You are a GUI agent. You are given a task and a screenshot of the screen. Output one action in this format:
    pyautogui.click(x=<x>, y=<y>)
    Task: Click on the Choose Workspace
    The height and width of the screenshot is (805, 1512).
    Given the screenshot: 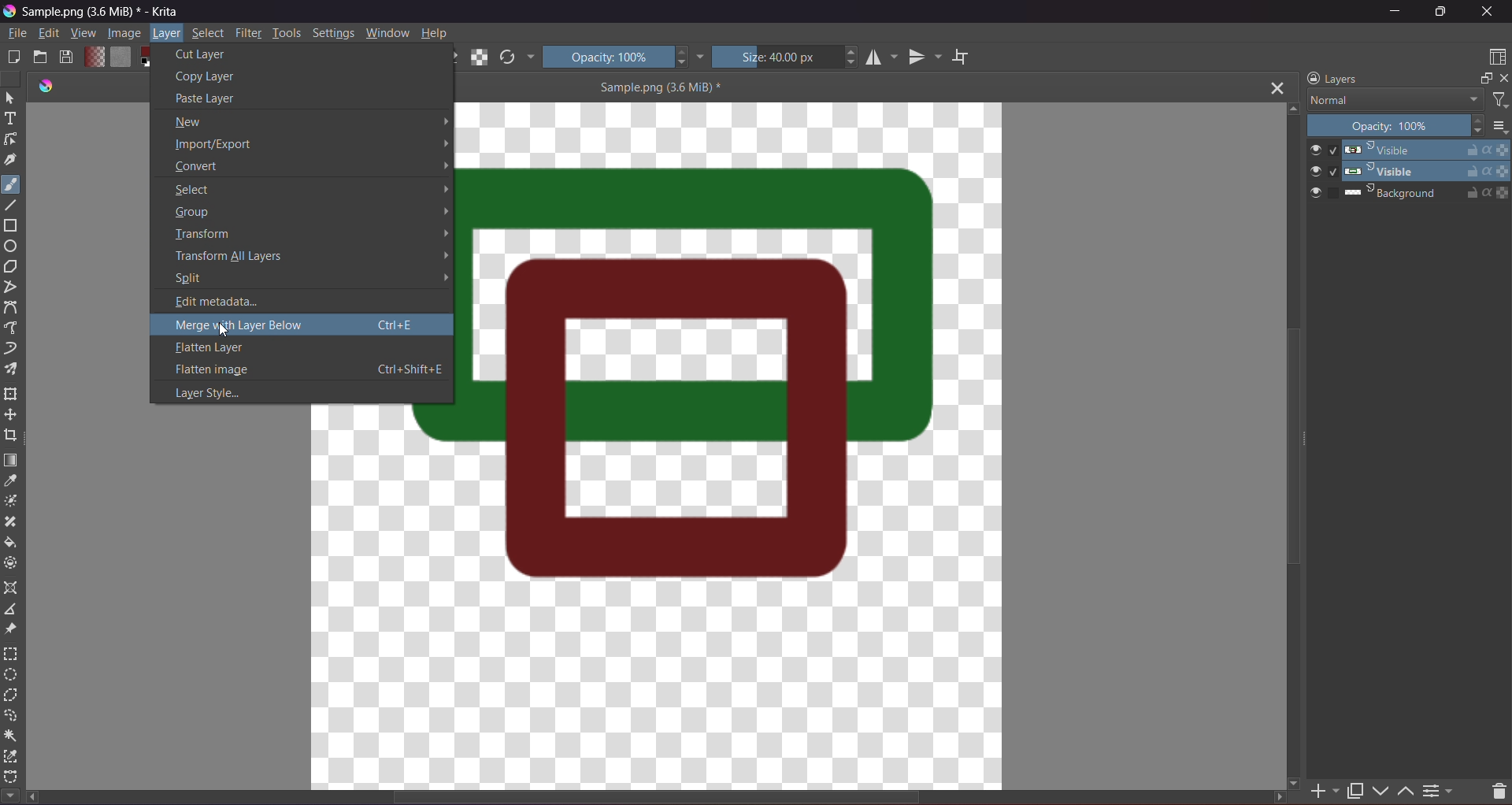 What is the action you would take?
    pyautogui.click(x=1495, y=58)
    